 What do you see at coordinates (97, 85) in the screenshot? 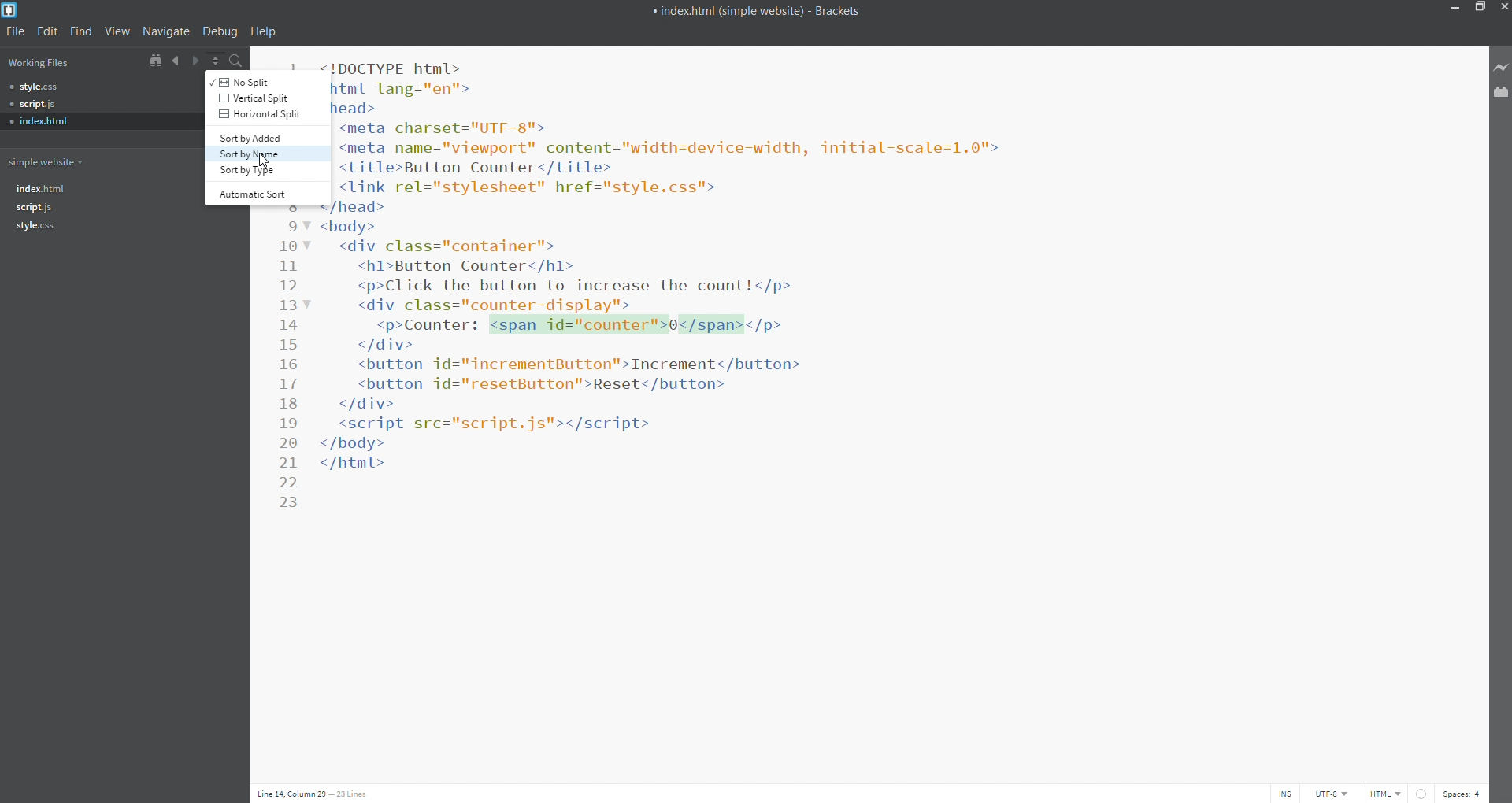
I see `style.css` at bounding box center [97, 85].